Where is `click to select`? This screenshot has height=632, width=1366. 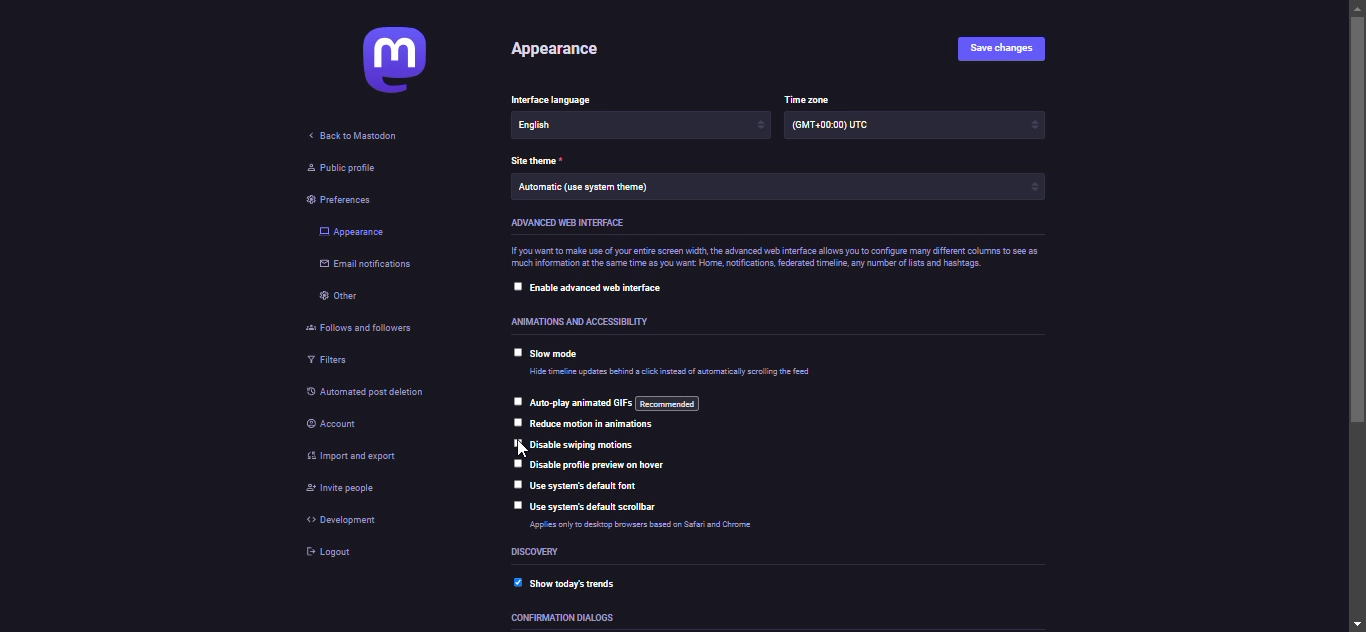
click to select is located at coordinates (517, 503).